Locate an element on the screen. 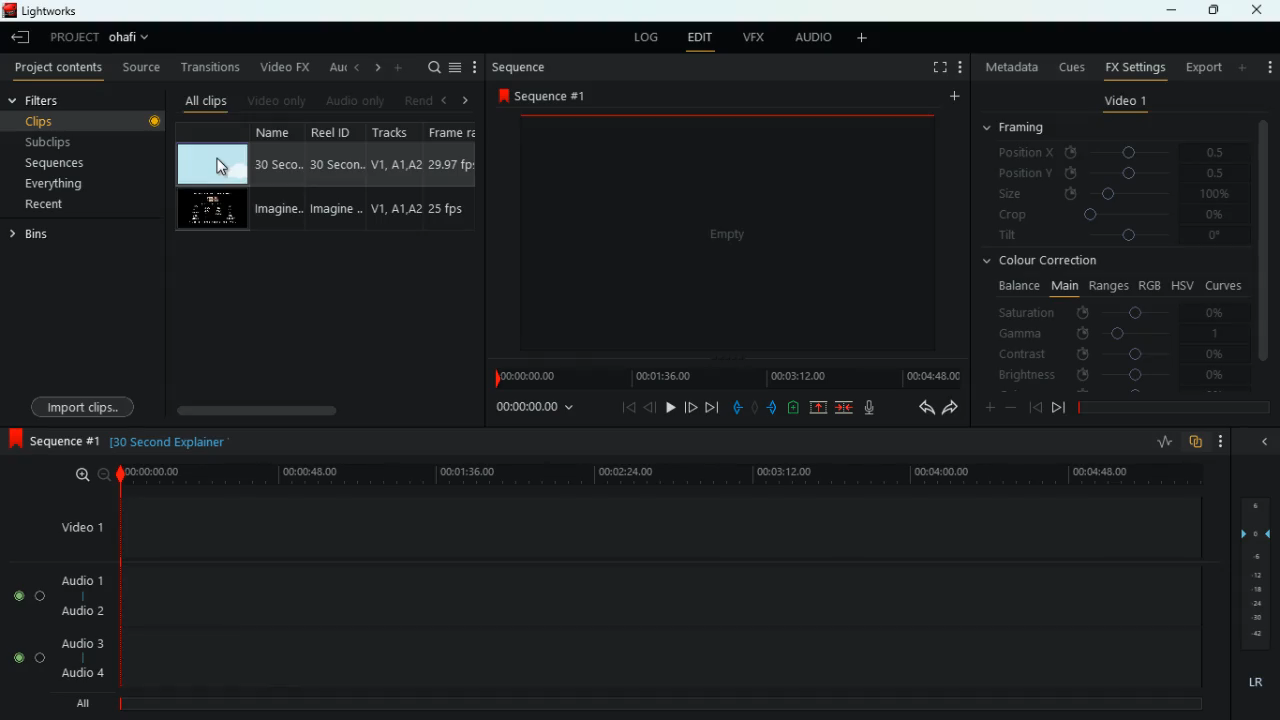  sequence is located at coordinates (550, 96).